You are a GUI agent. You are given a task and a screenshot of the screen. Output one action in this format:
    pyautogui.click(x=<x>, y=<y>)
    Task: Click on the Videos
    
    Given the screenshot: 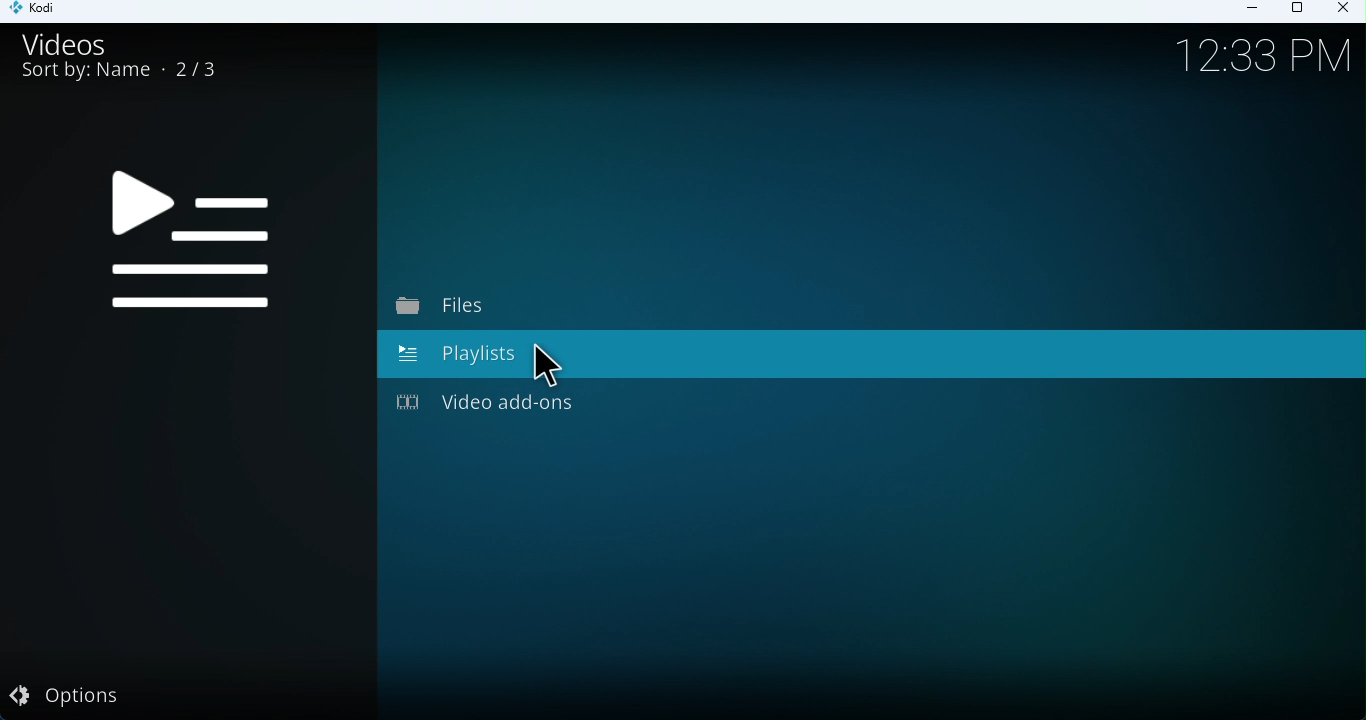 What is the action you would take?
    pyautogui.click(x=95, y=40)
    